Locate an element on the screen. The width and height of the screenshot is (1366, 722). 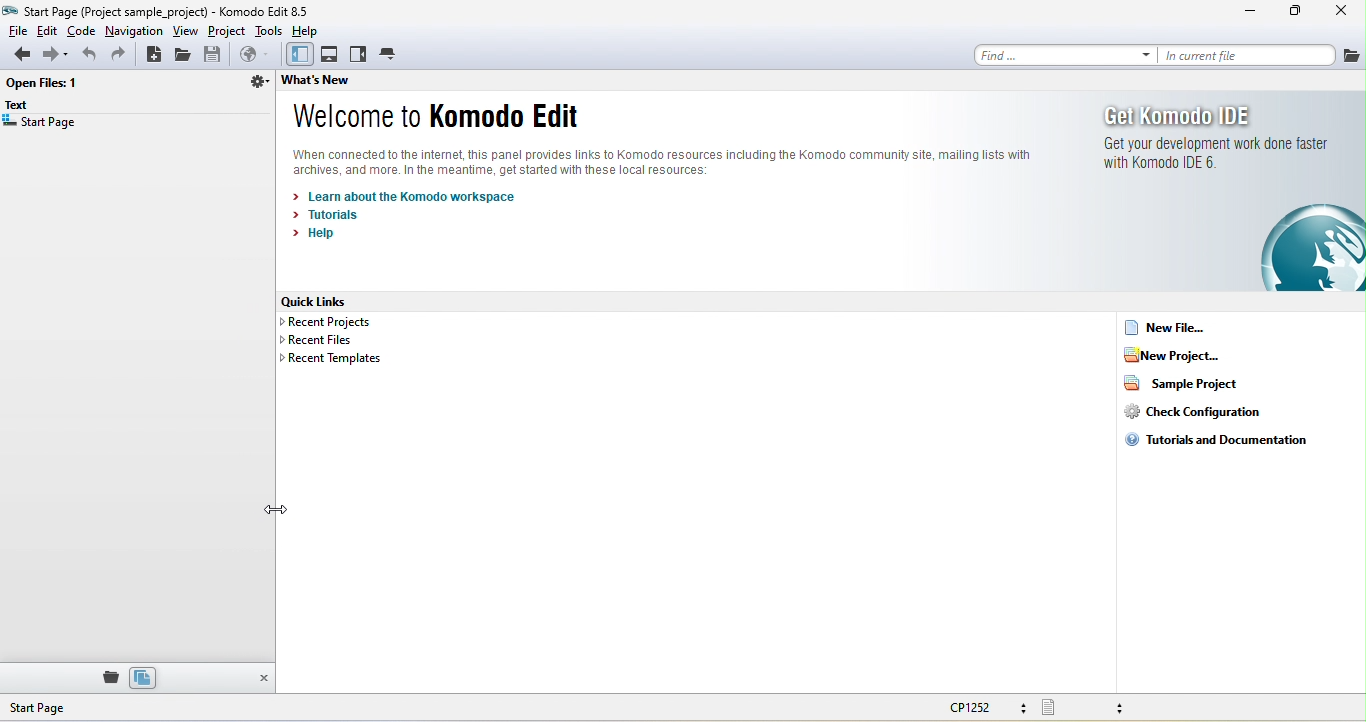
sample project is located at coordinates (1180, 382).